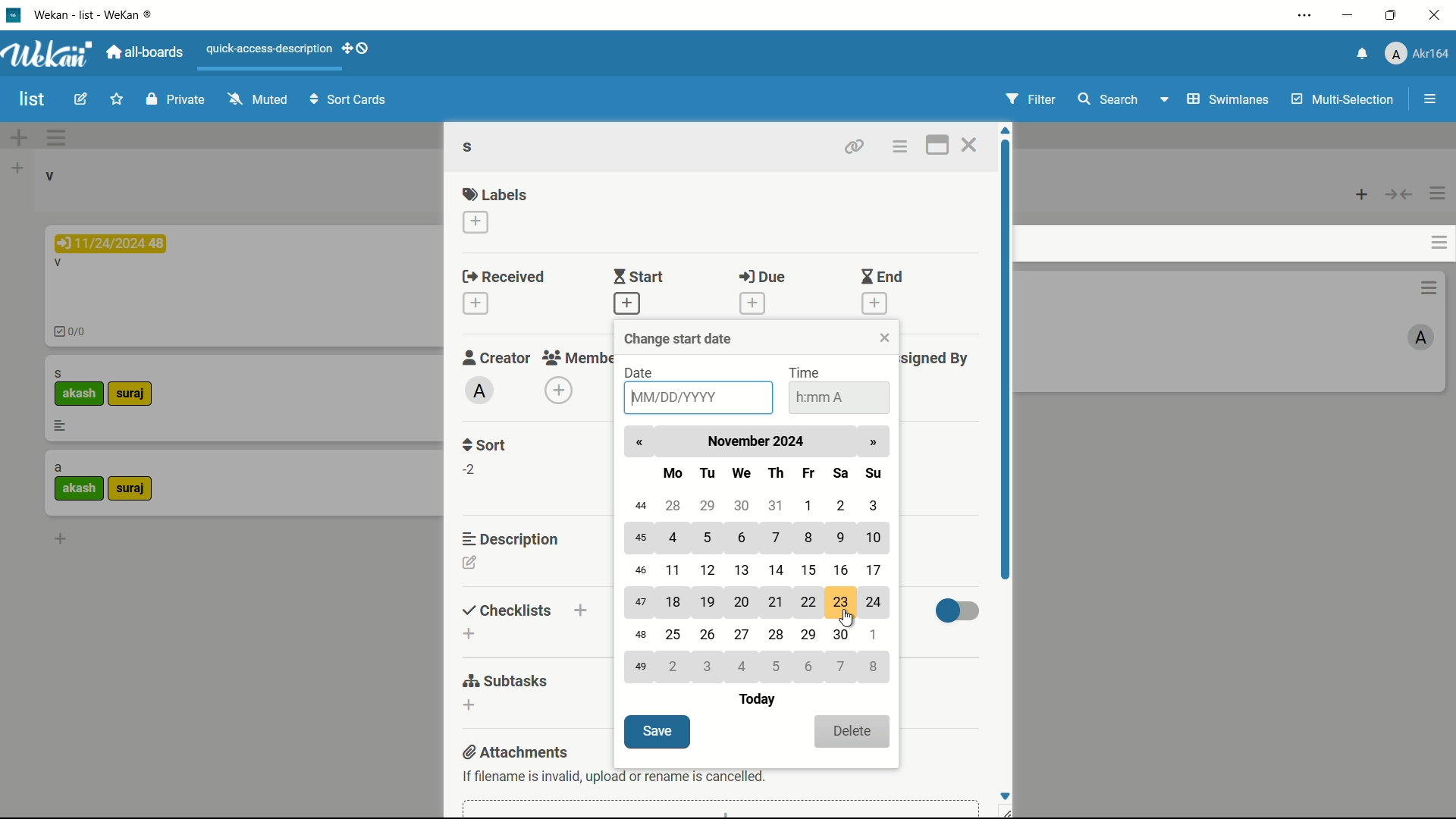 The width and height of the screenshot is (1456, 819). What do you see at coordinates (271, 49) in the screenshot?
I see `quick-access-description` at bounding box center [271, 49].